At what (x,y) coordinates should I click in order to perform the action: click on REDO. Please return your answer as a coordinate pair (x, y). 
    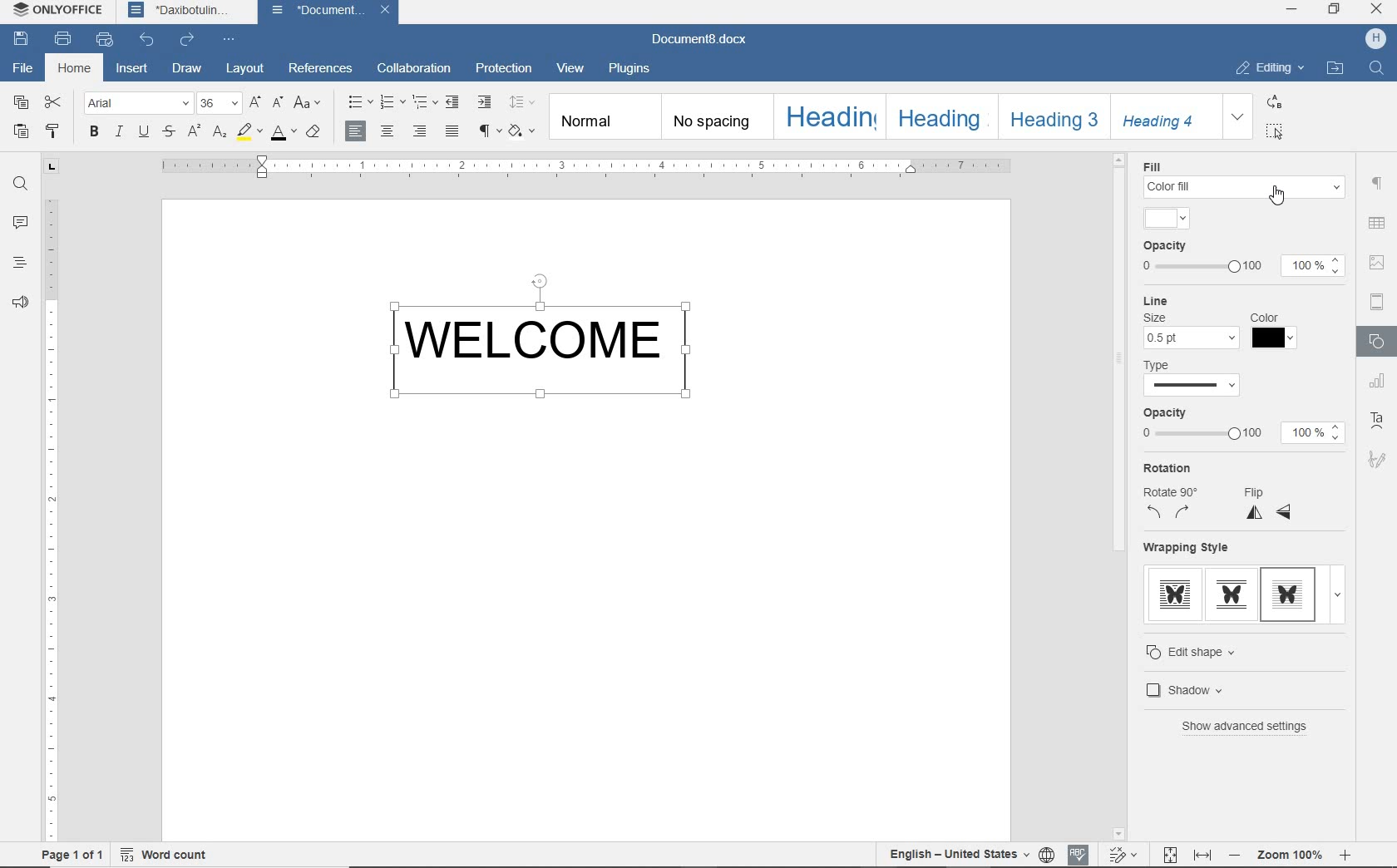
    Looking at the image, I should click on (188, 39).